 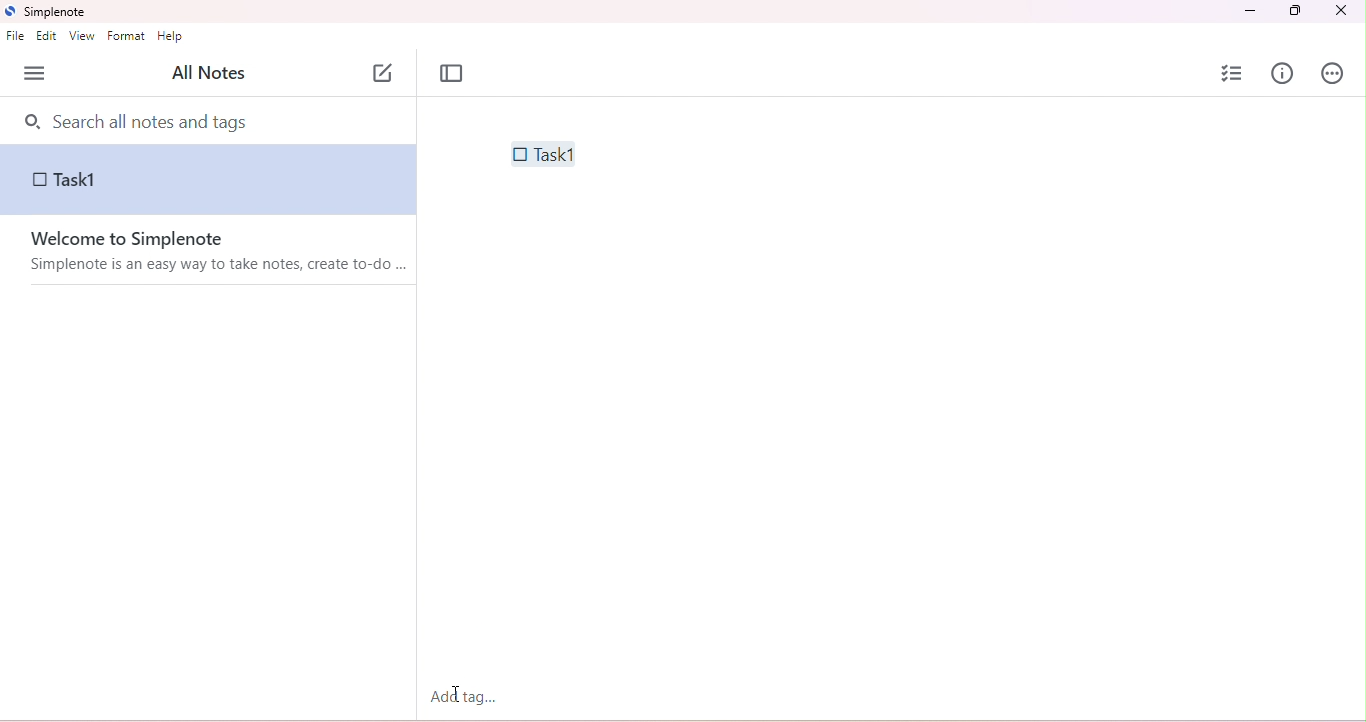 What do you see at coordinates (221, 266) in the screenshot?
I see `simplenote is an easy way to take notes, create to do` at bounding box center [221, 266].